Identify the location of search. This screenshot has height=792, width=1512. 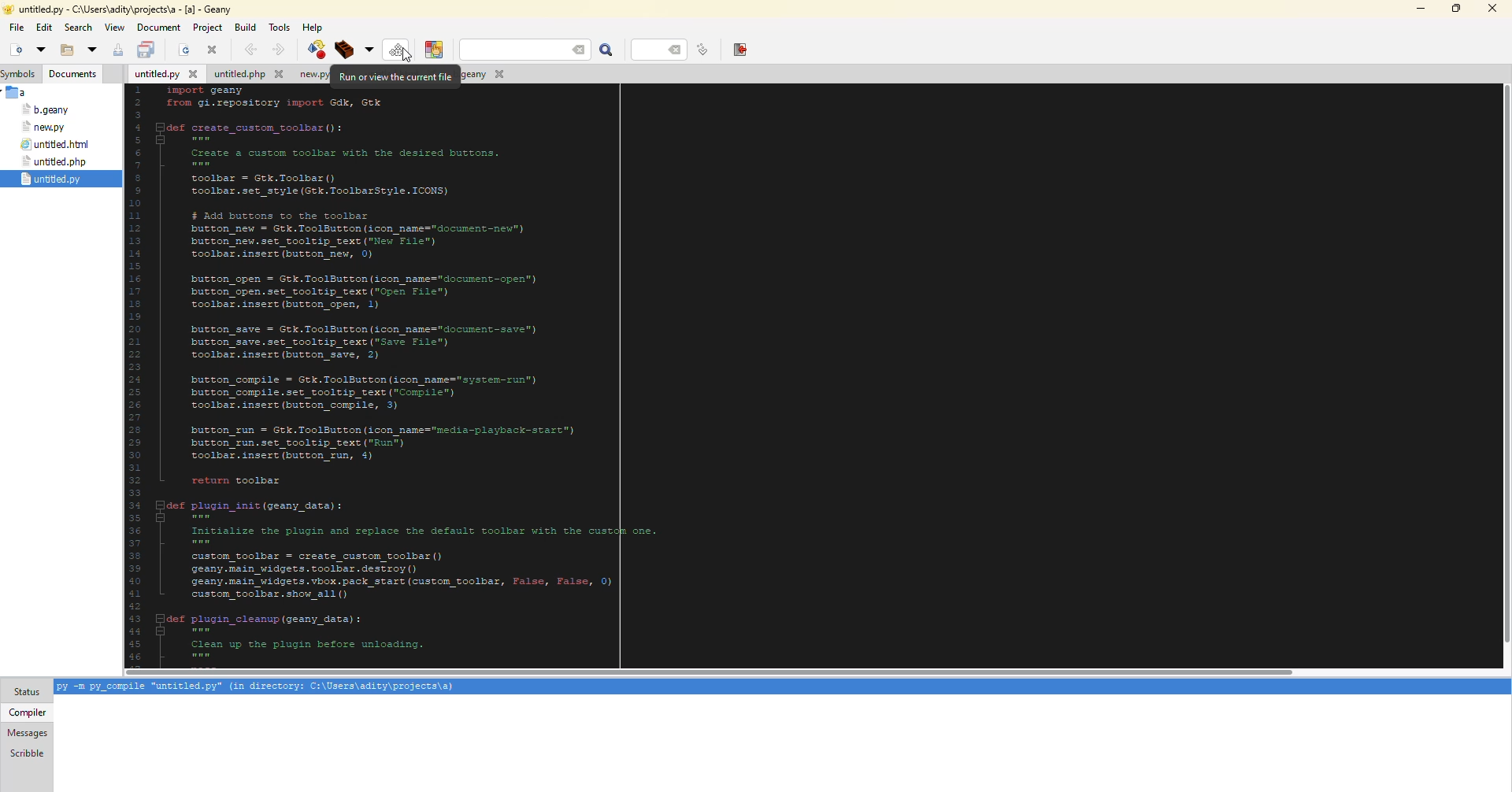
(606, 50).